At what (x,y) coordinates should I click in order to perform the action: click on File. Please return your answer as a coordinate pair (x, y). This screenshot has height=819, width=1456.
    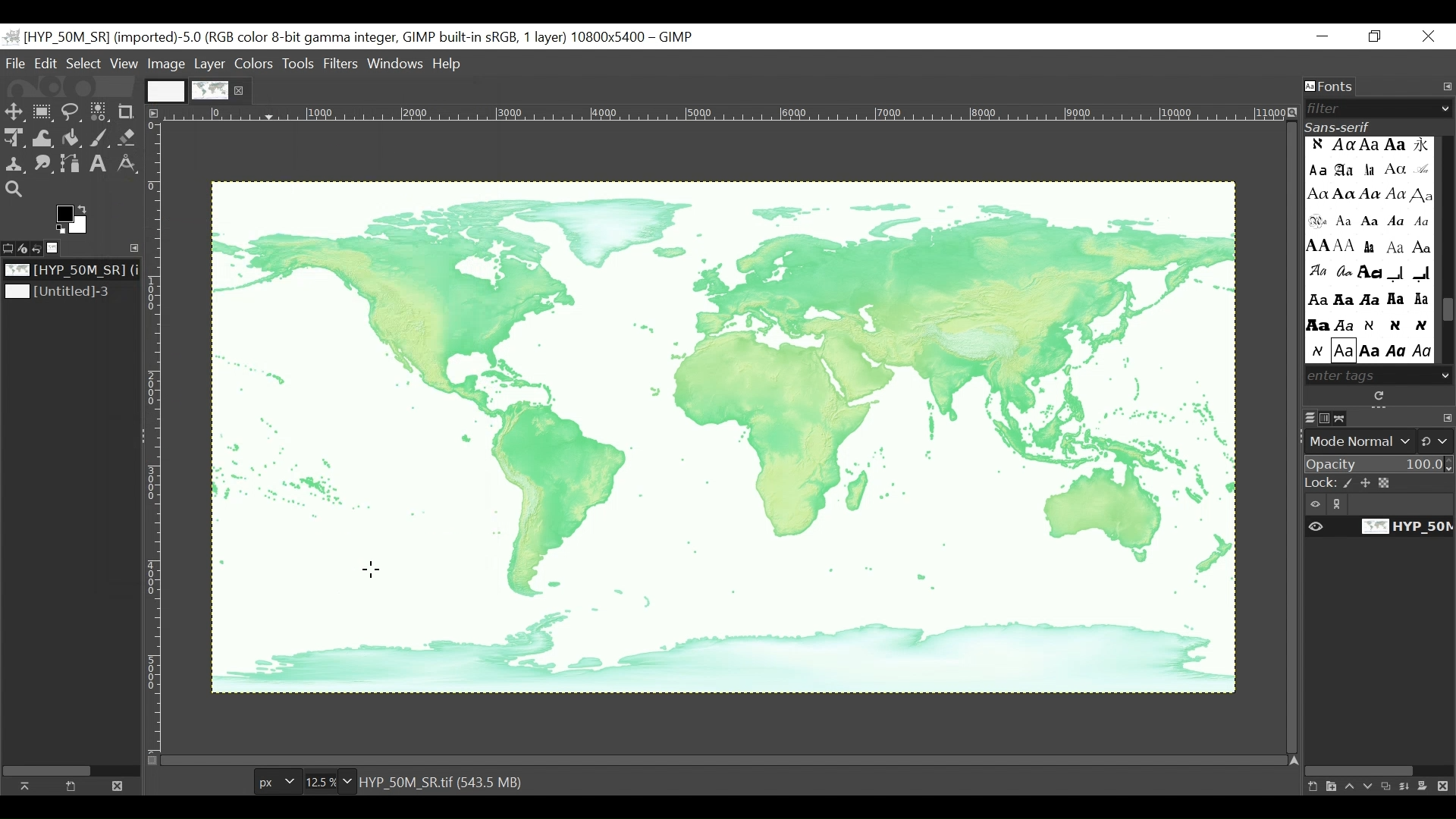
    Looking at the image, I should click on (17, 63).